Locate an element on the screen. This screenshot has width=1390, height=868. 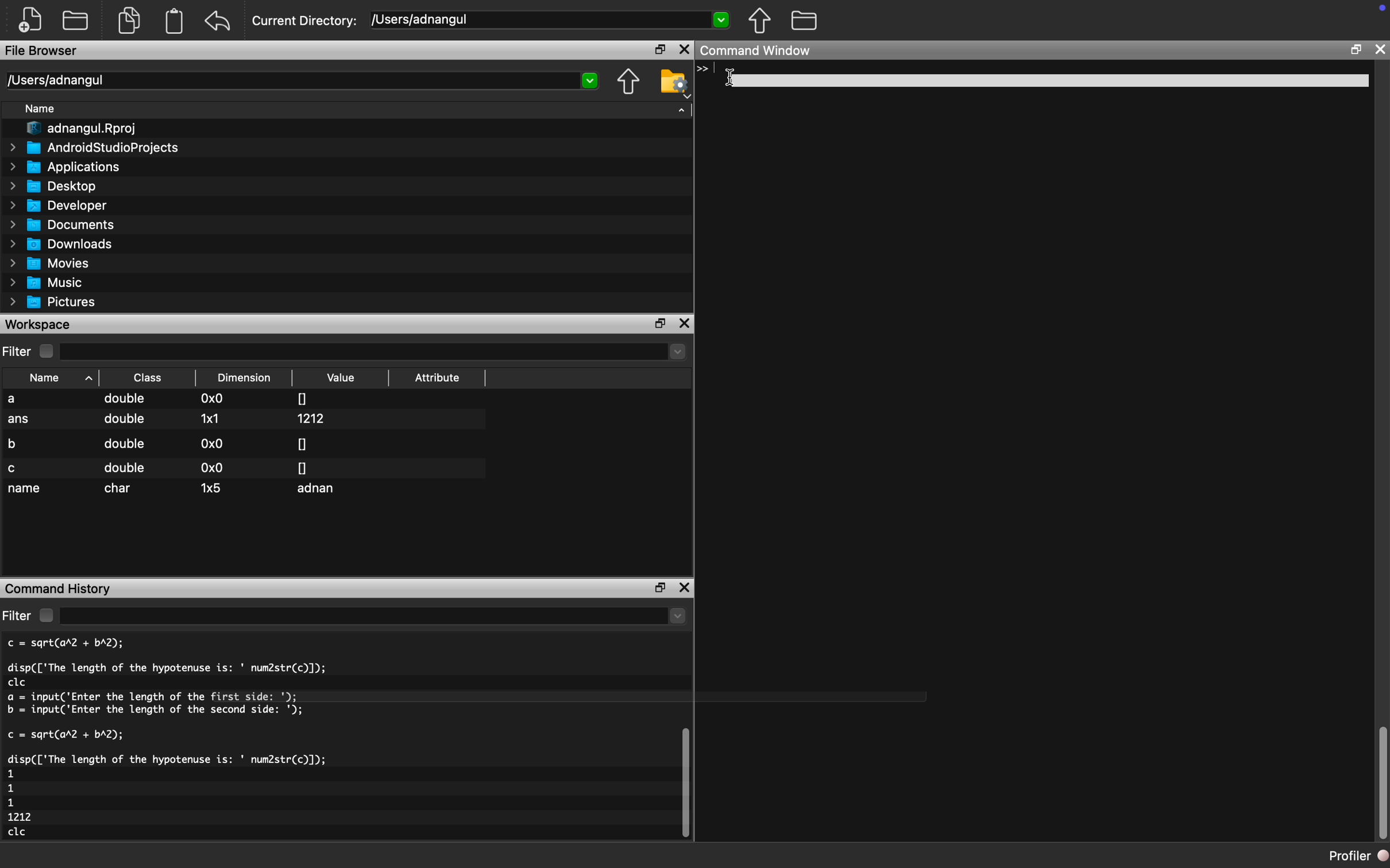
document clipboard is located at coordinates (172, 22).